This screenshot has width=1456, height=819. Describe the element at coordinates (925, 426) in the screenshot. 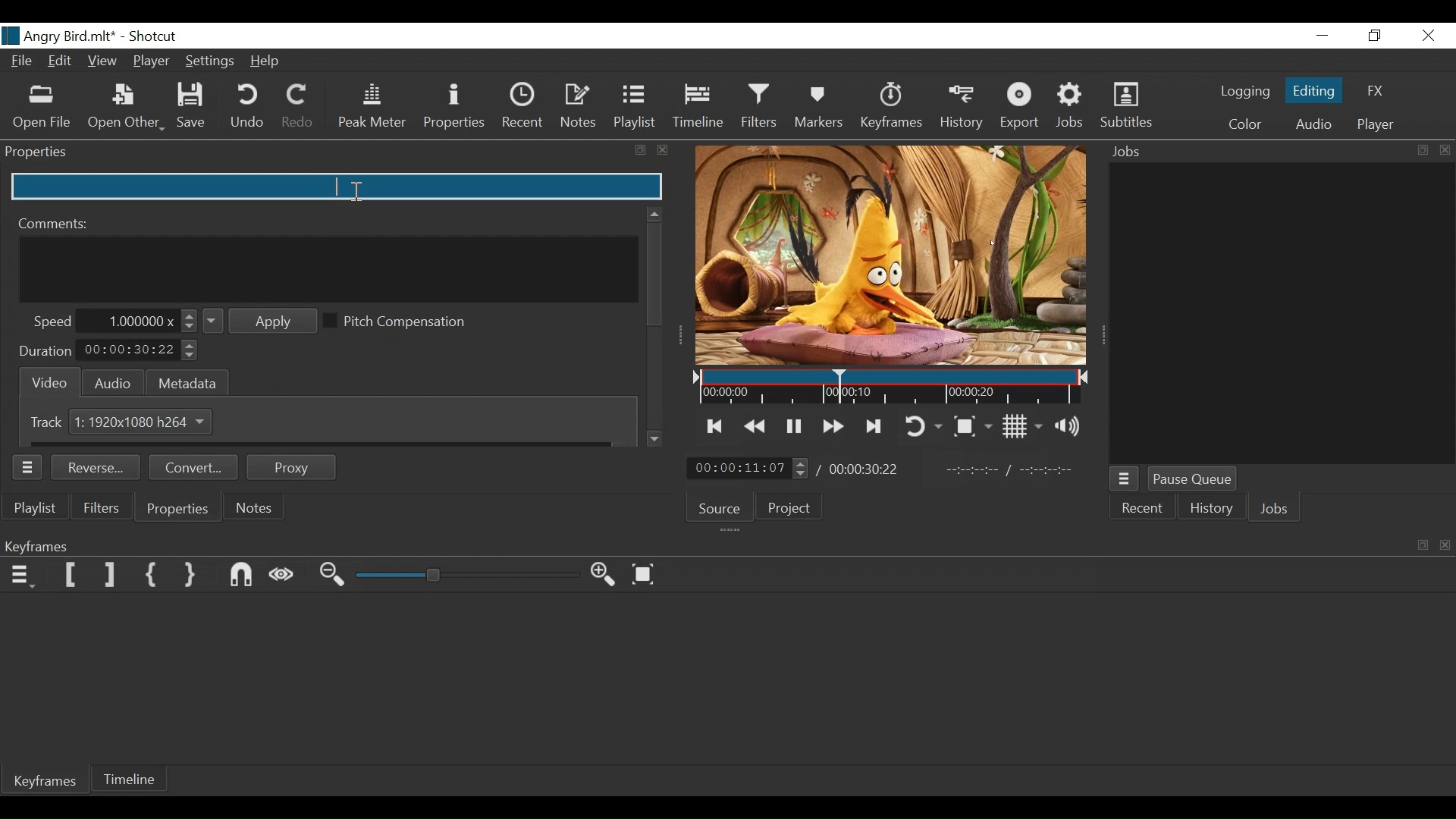

I see `Toggle player looping` at that location.